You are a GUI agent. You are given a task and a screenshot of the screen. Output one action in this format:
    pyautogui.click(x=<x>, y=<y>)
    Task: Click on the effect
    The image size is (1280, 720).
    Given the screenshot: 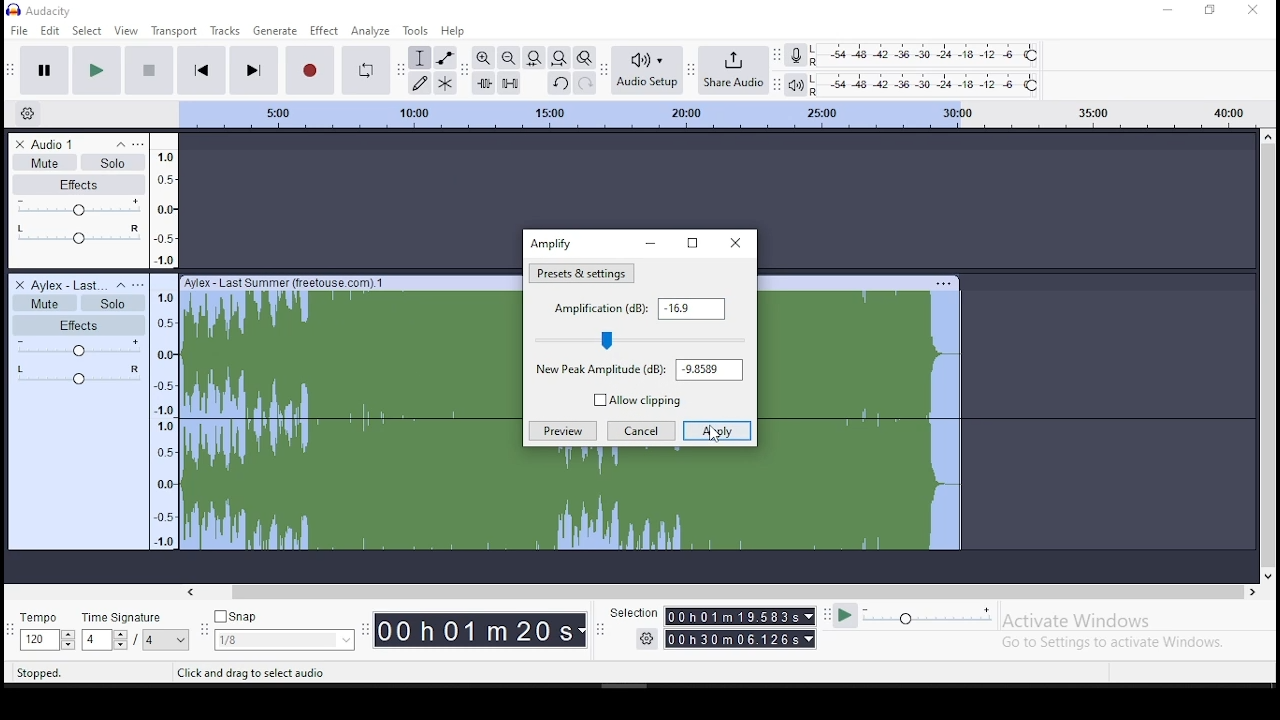 What is the action you would take?
    pyautogui.click(x=323, y=31)
    